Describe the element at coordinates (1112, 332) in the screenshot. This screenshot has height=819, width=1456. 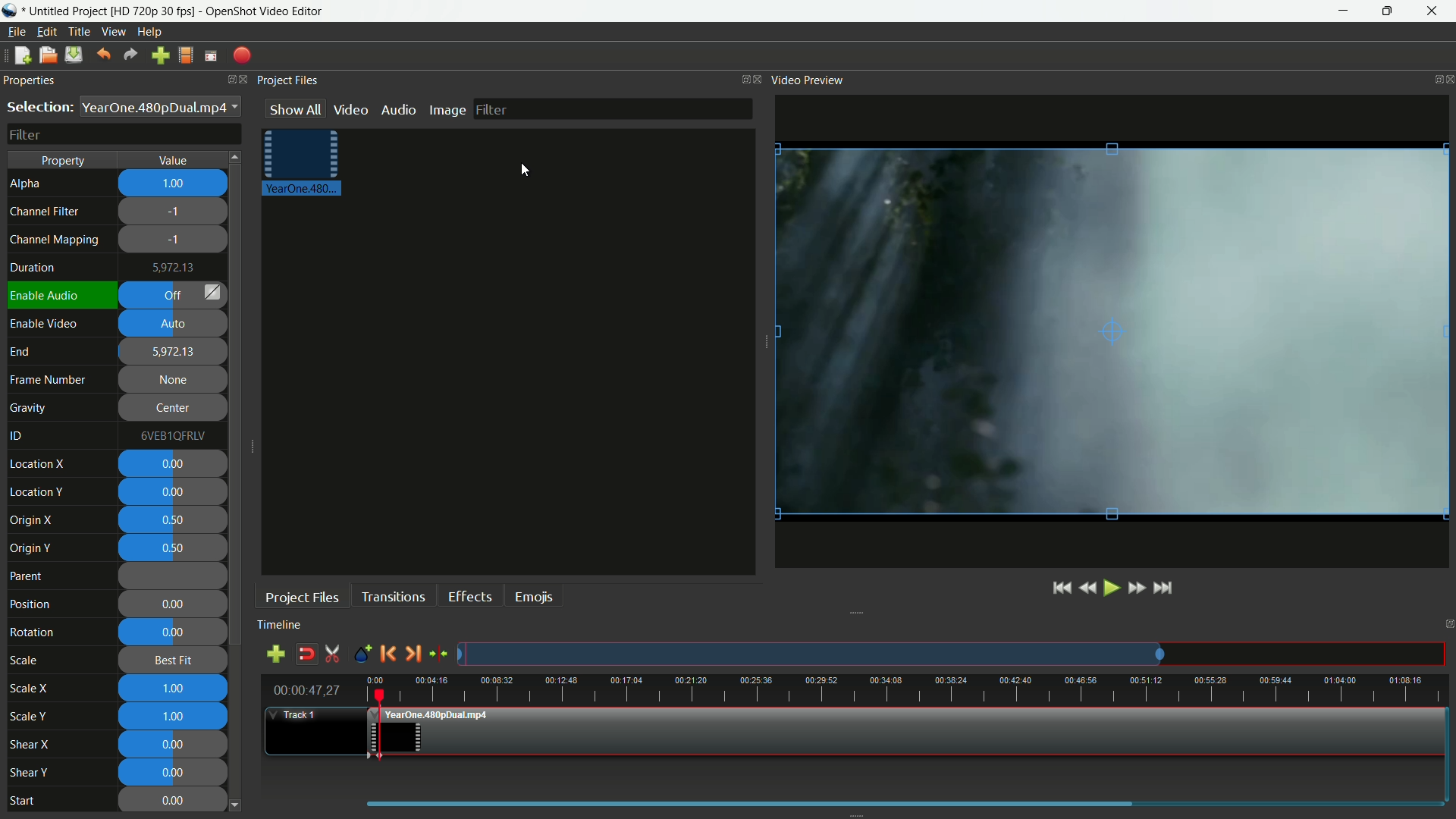
I see `video preview` at that location.